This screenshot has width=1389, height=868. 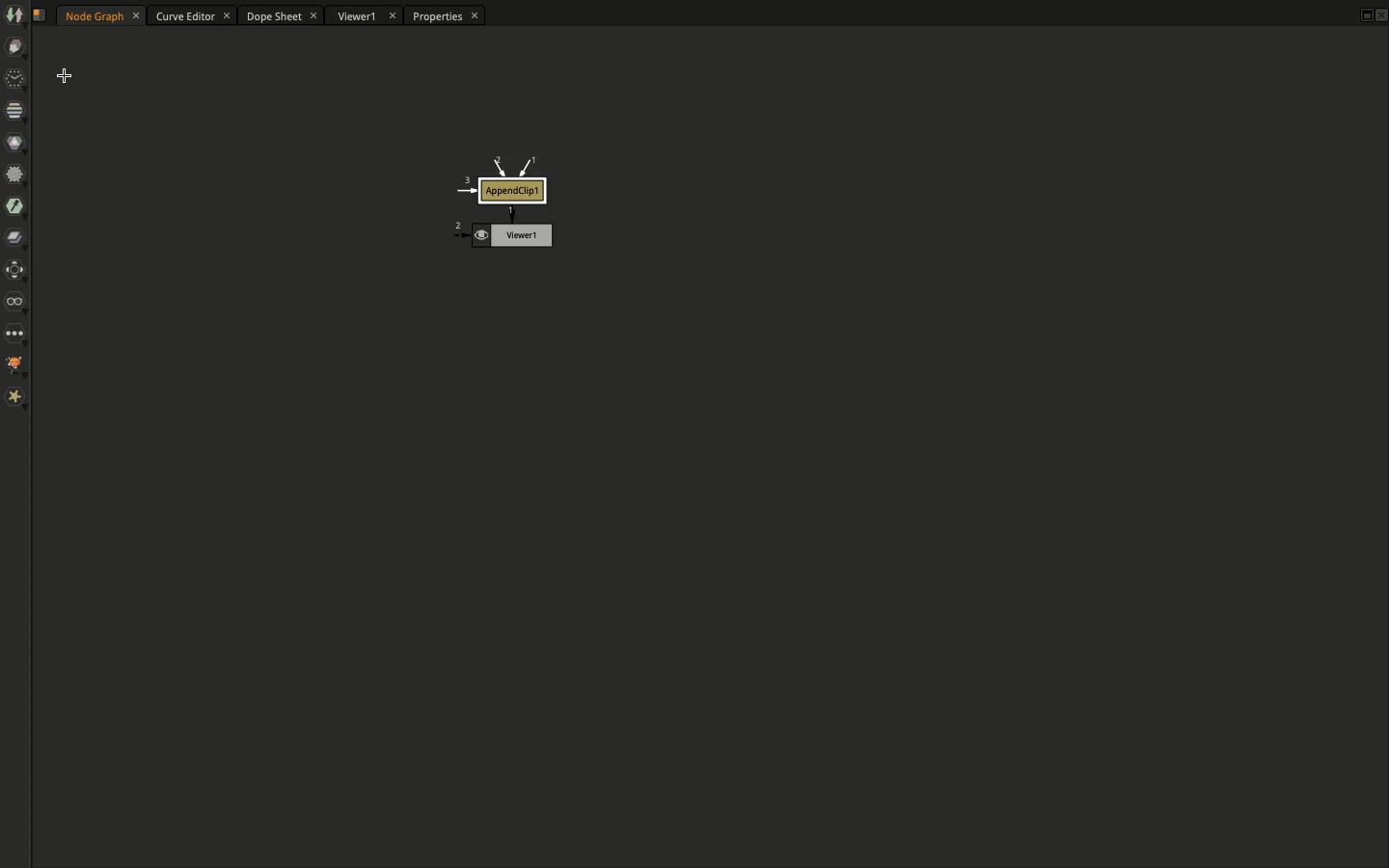 I want to click on Channel, so click(x=14, y=112).